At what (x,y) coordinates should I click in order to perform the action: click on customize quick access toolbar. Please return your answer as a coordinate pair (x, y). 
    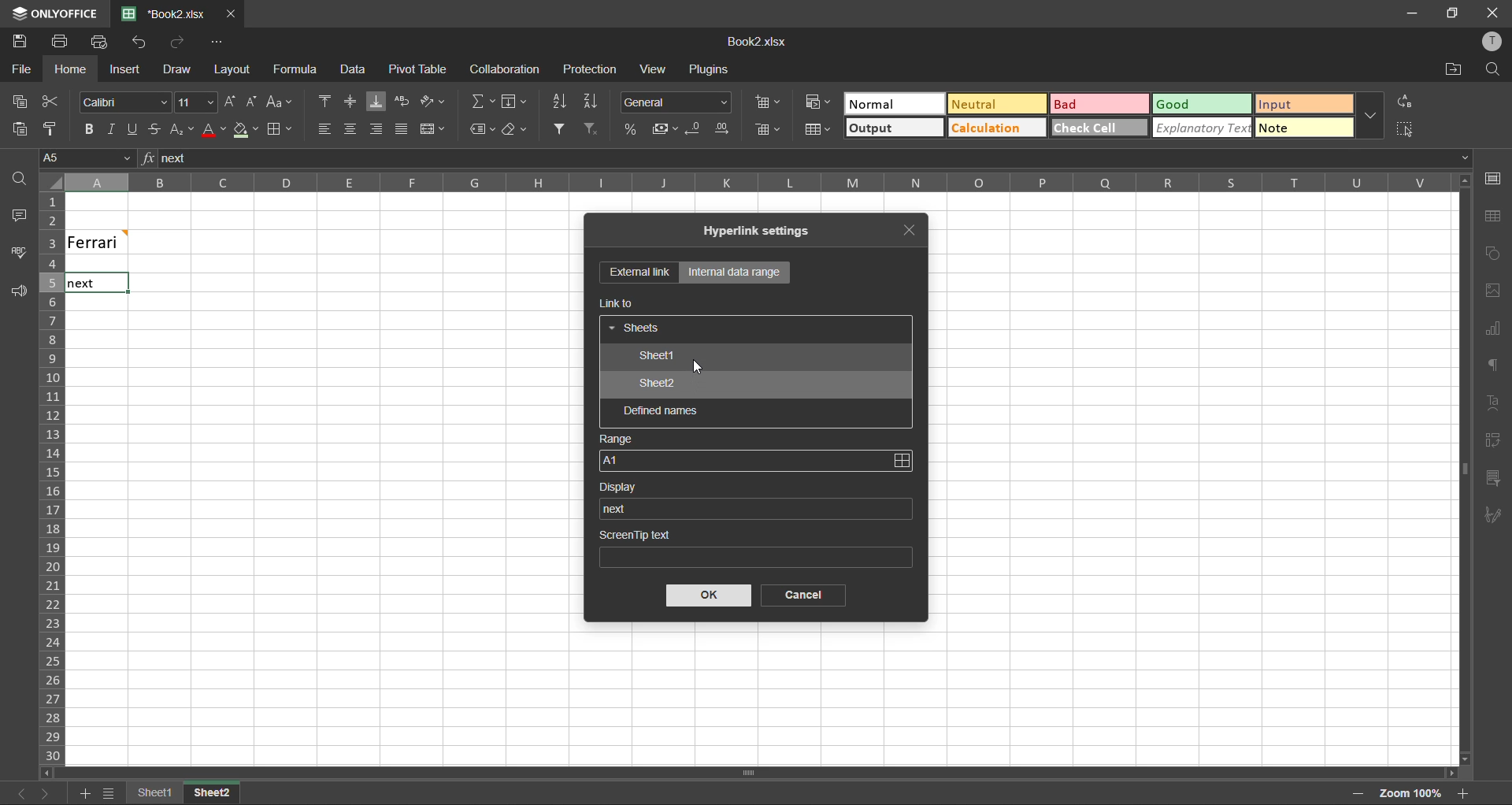
    Looking at the image, I should click on (215, 44).